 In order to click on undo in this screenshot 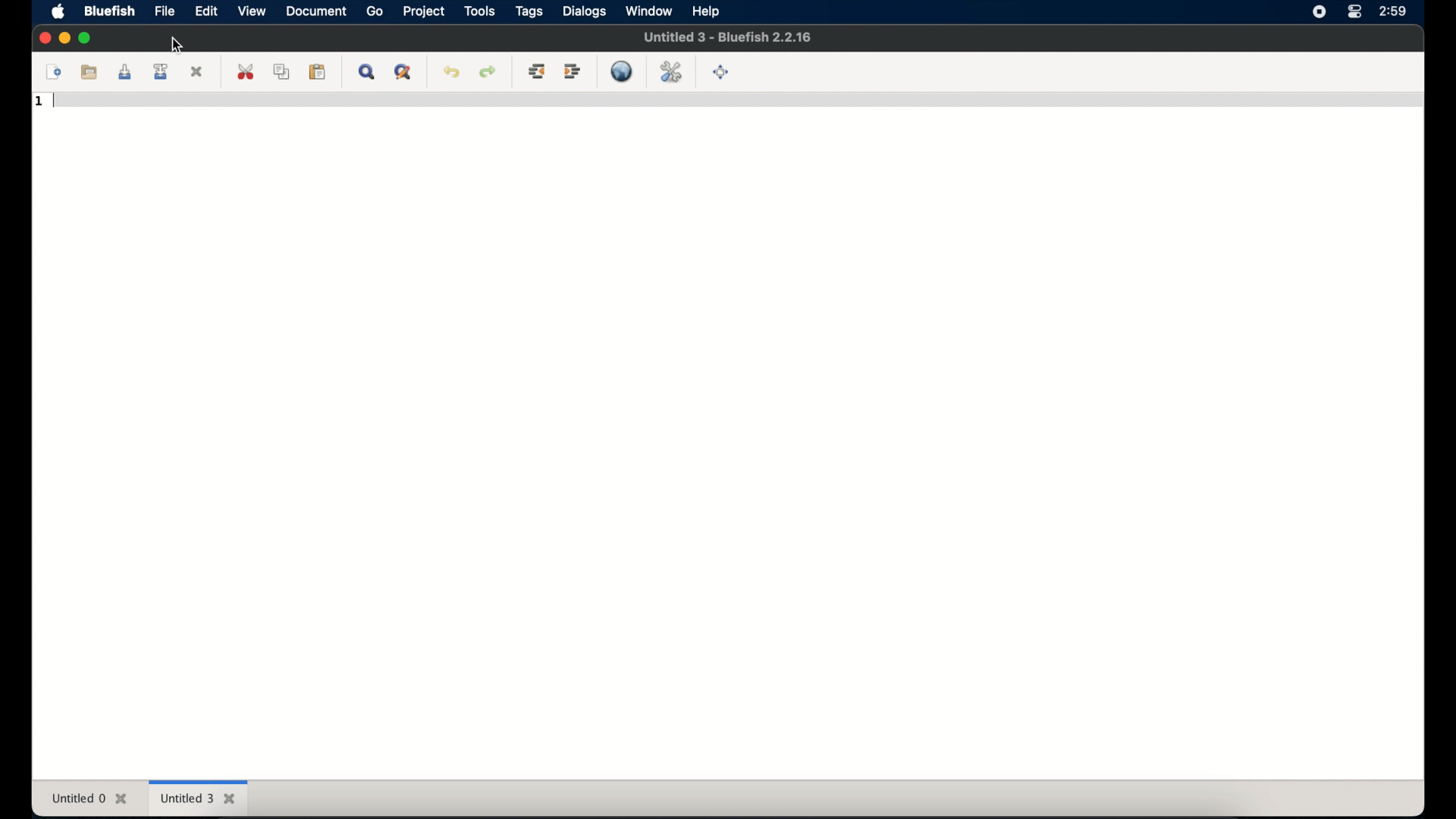, I will do `click(452, 71)`.